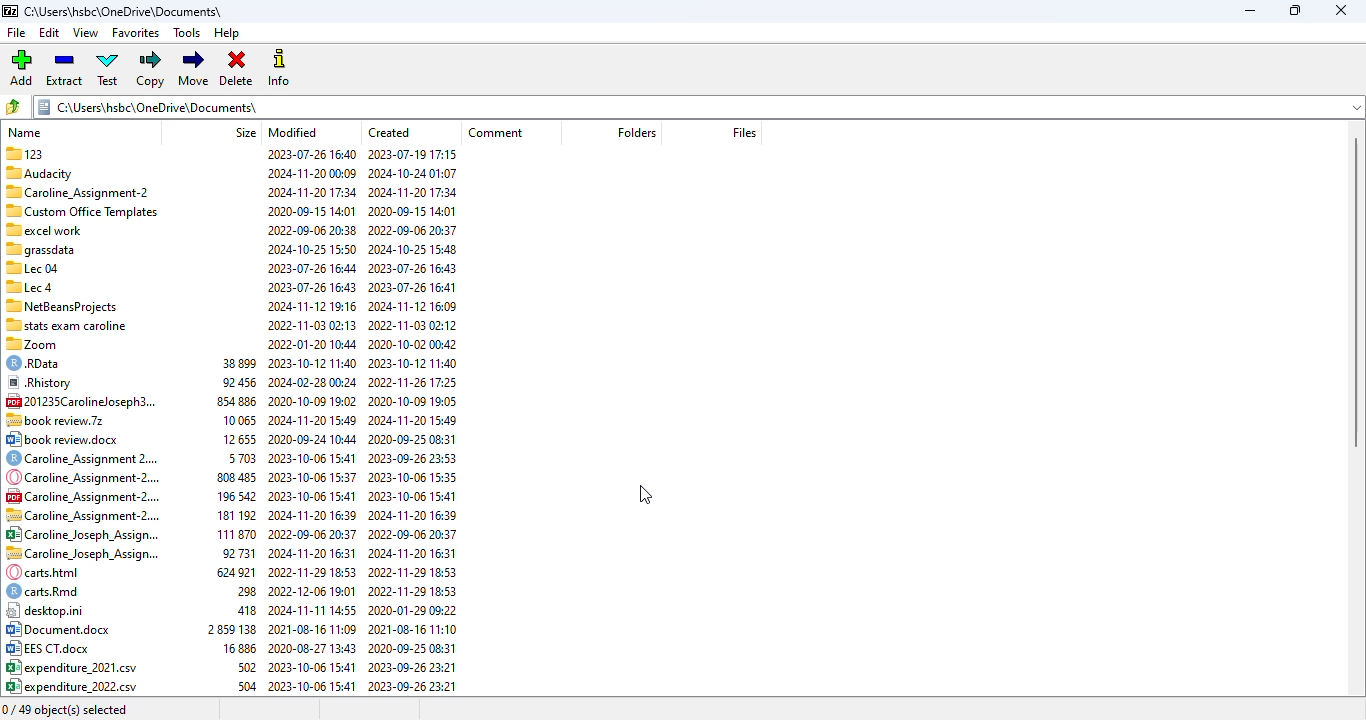  What do you see at coordinates (744, 133) in the screenshot?
I see `files` at bounding box center [744, 133].